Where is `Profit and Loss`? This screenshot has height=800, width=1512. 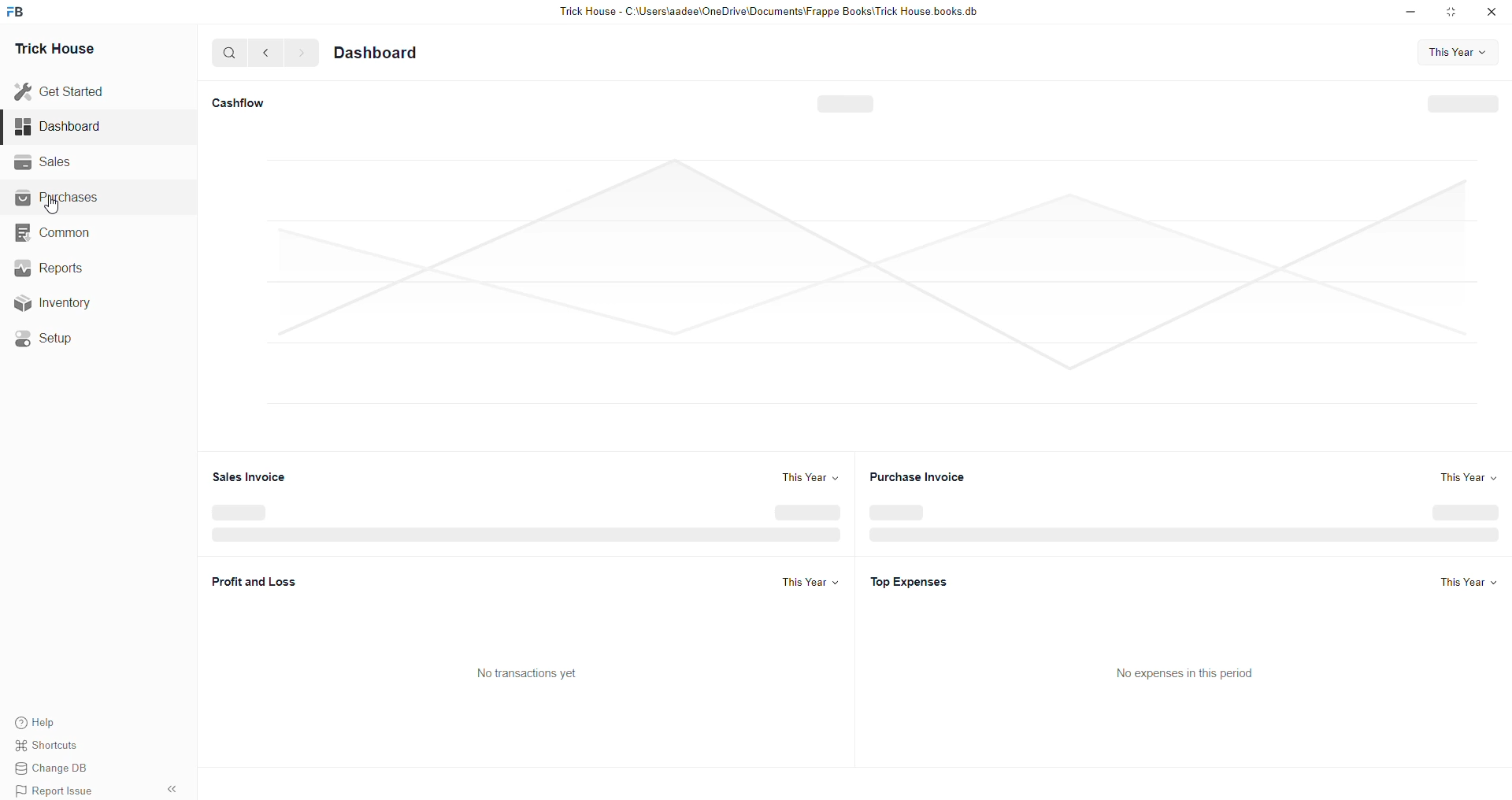 Profit and Loss is located at coordinates (255, 580).